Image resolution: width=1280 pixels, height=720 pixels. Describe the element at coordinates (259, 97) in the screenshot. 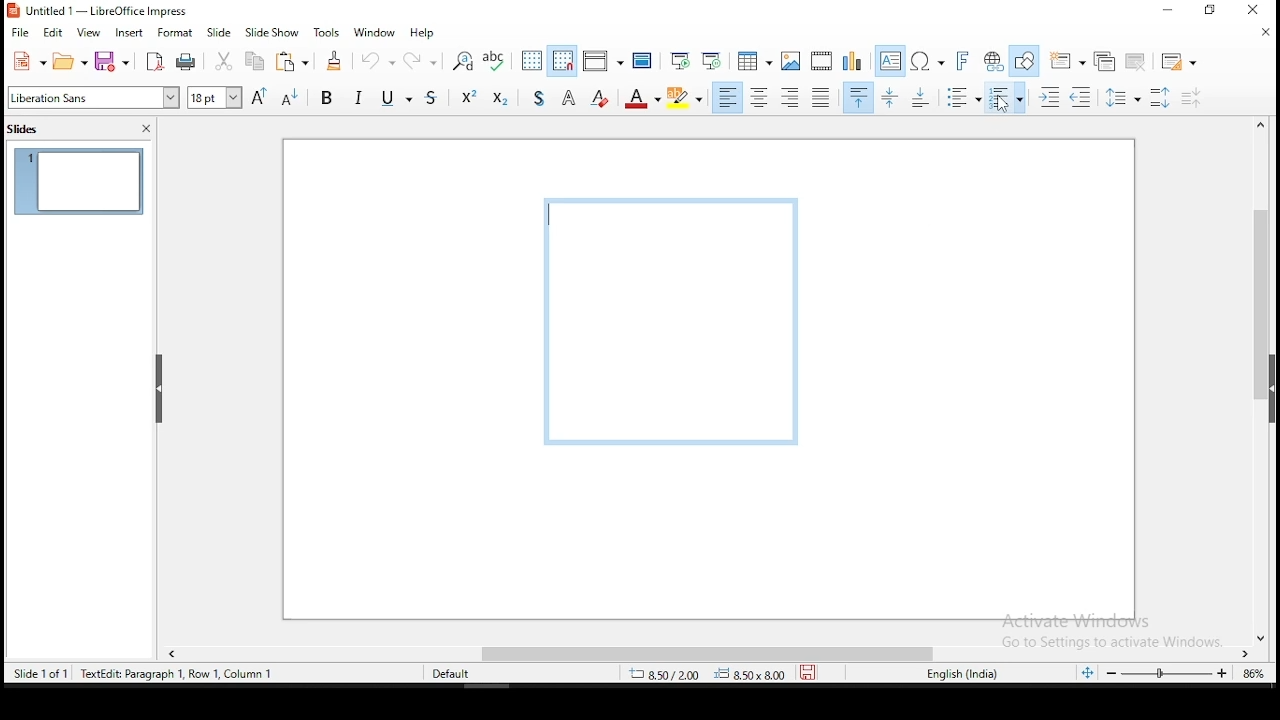

I see `increase font size` at that location.